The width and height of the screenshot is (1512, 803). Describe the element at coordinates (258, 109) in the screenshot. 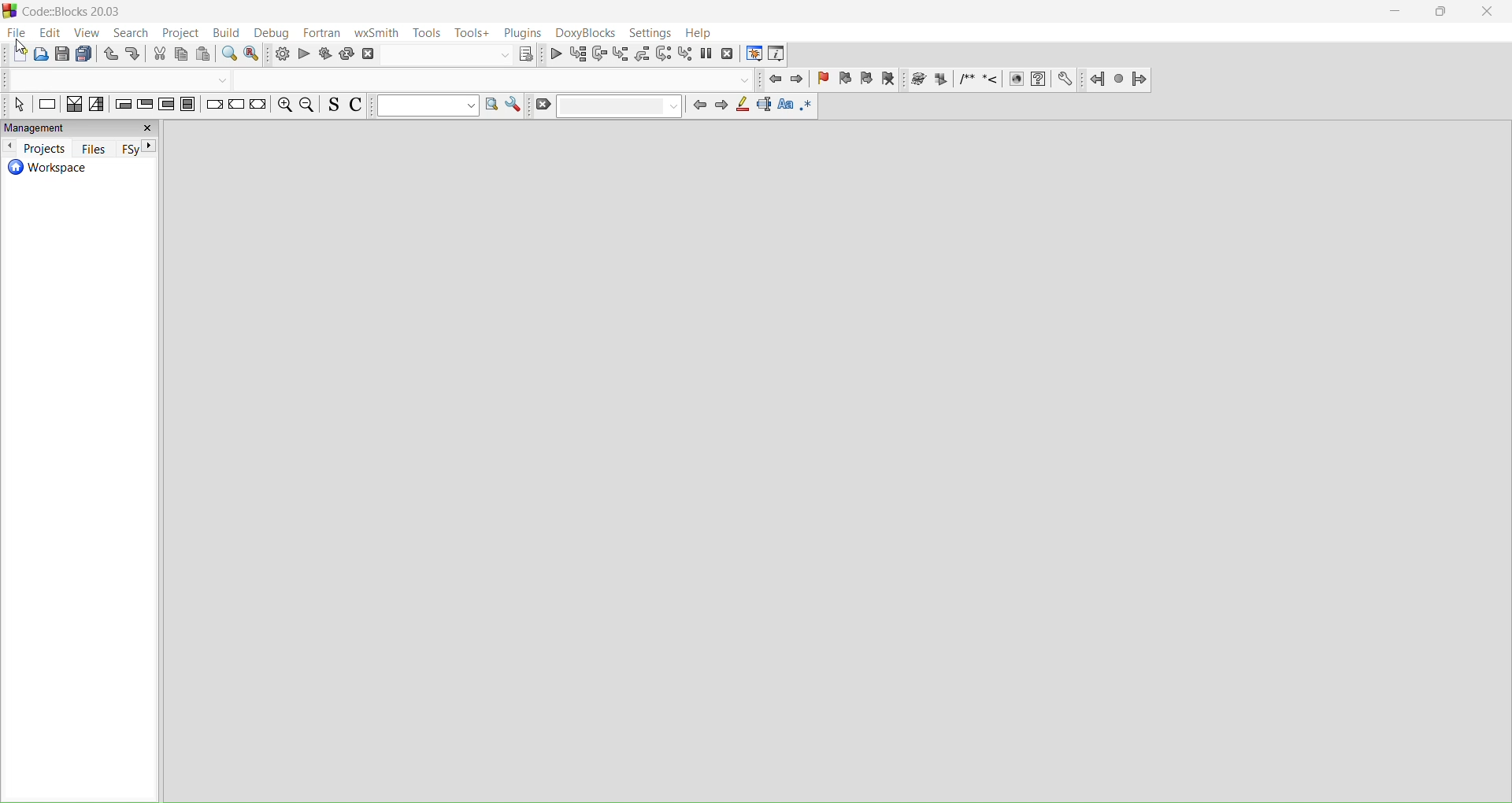

I see `return instructions` at that location.